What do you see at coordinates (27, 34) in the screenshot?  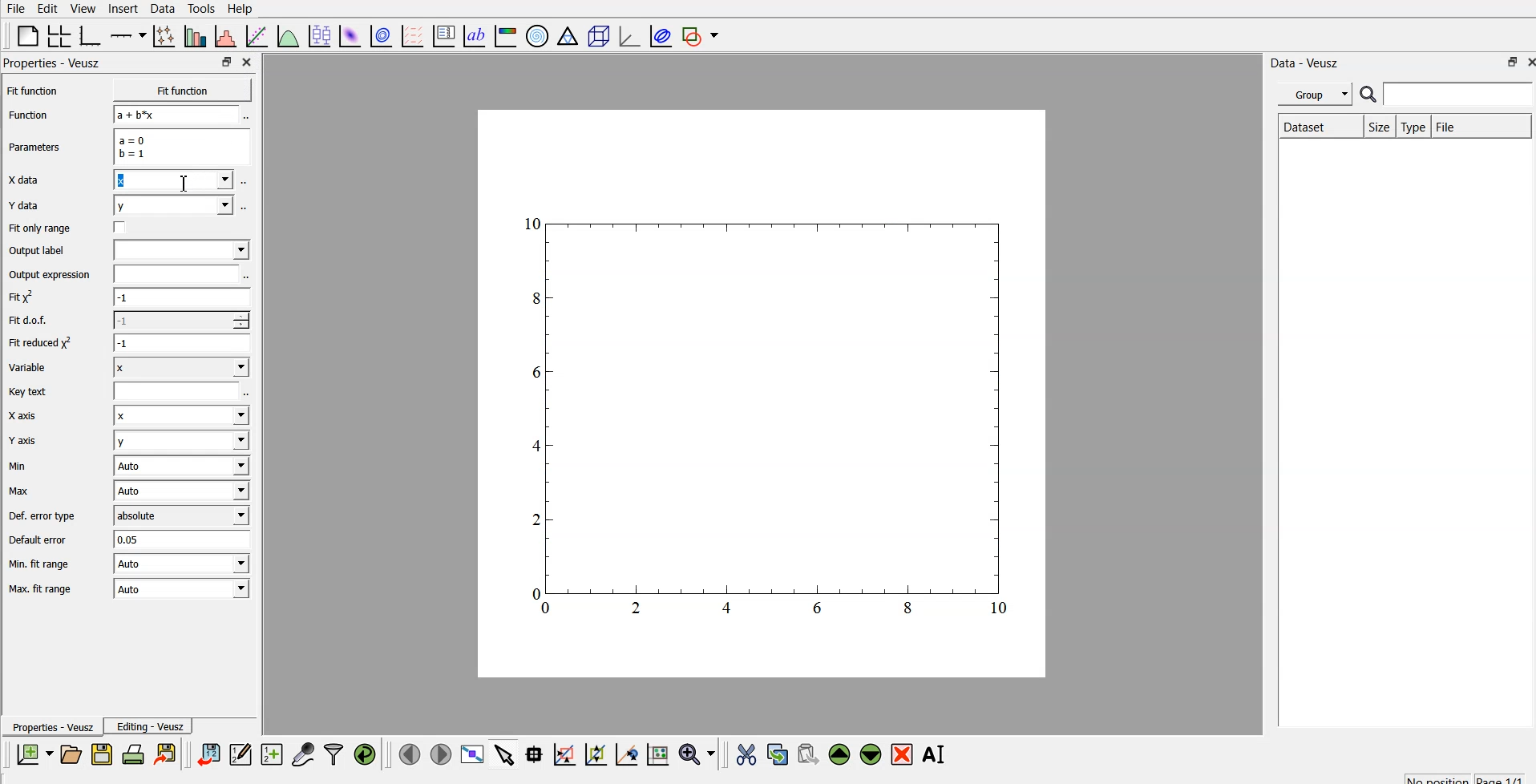 I see `blank page` at bounding box center [27, 34].